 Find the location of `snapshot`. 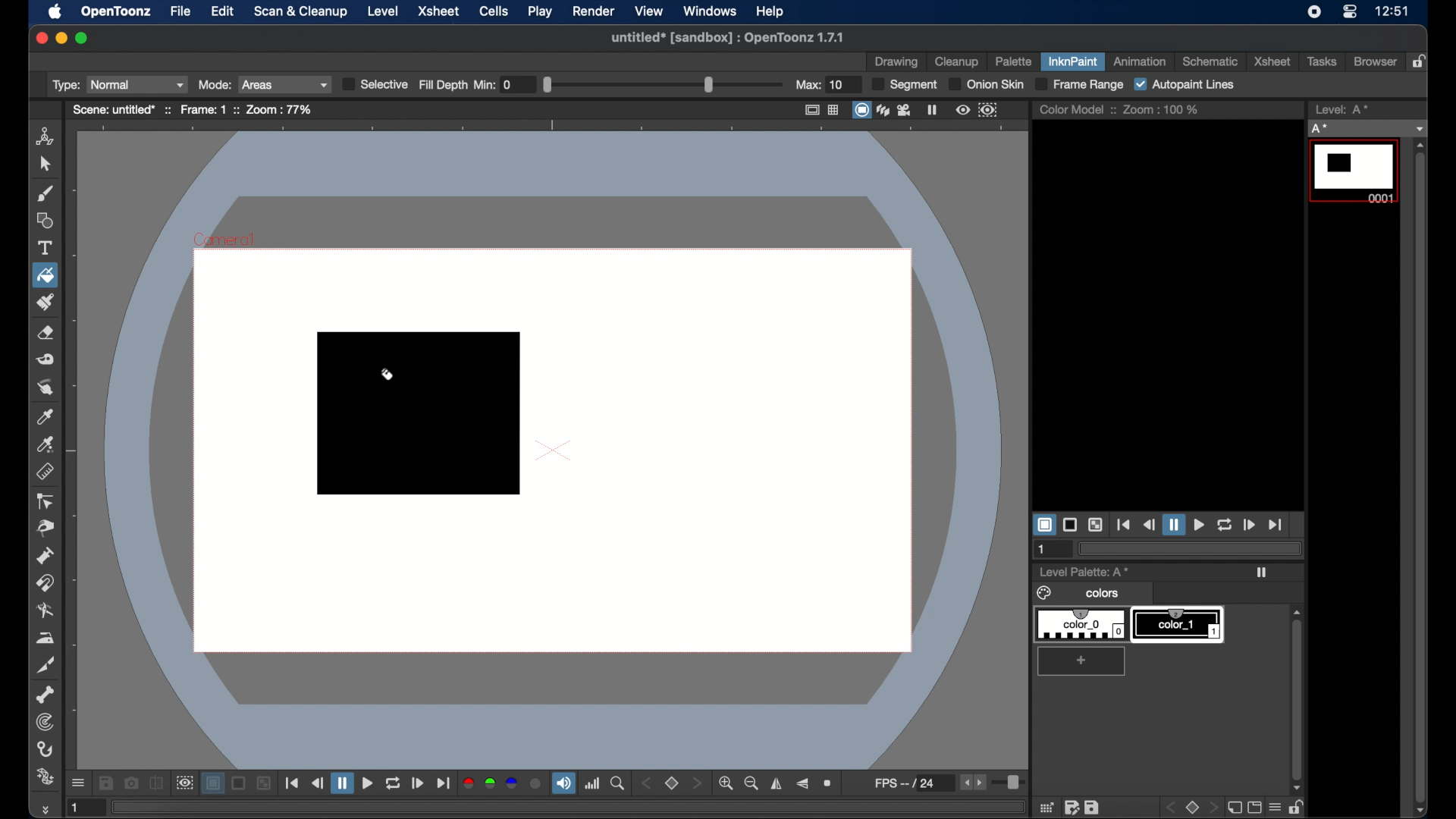

snapshot is located at coordinates (130, 782).